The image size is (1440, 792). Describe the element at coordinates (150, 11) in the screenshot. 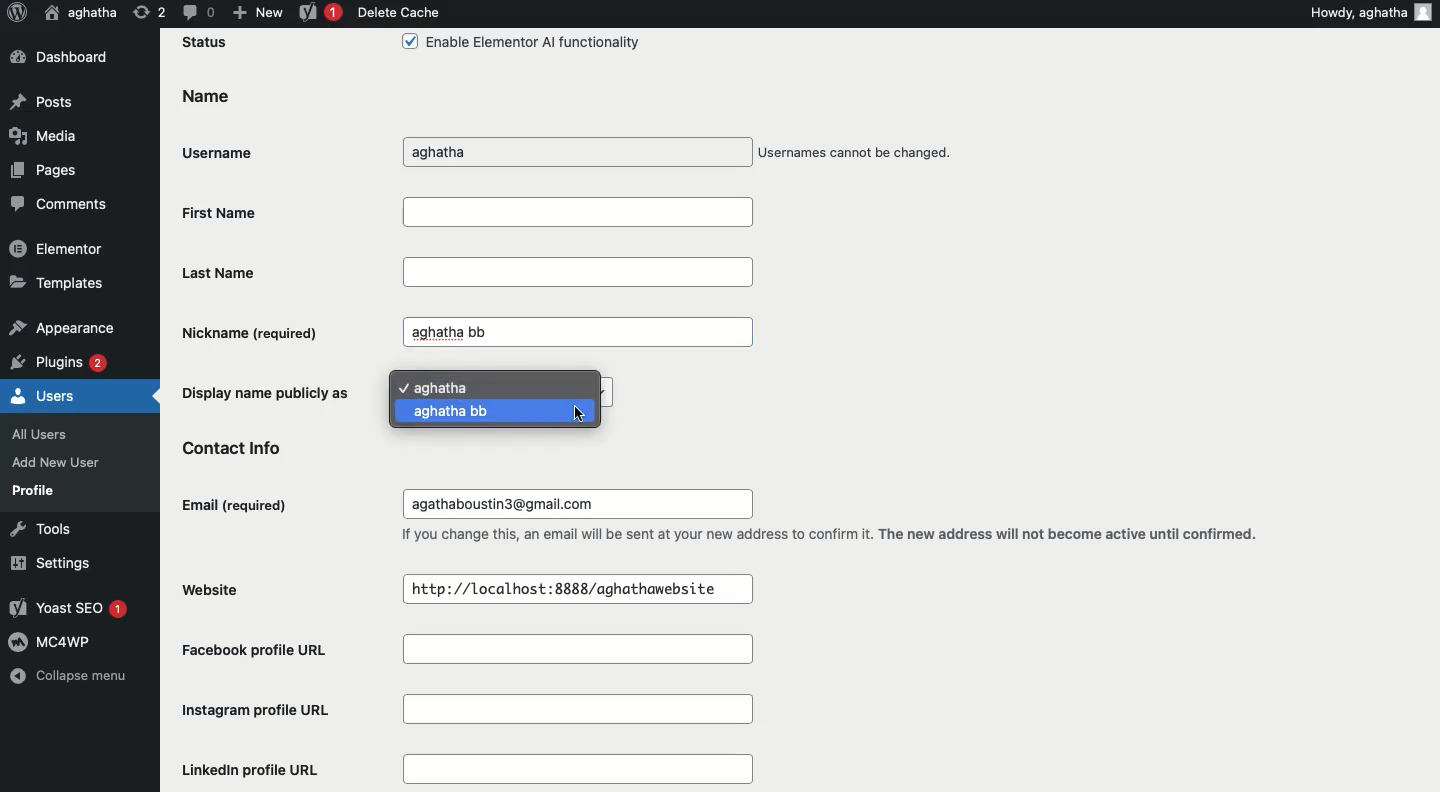

I see `Revision` at that location.